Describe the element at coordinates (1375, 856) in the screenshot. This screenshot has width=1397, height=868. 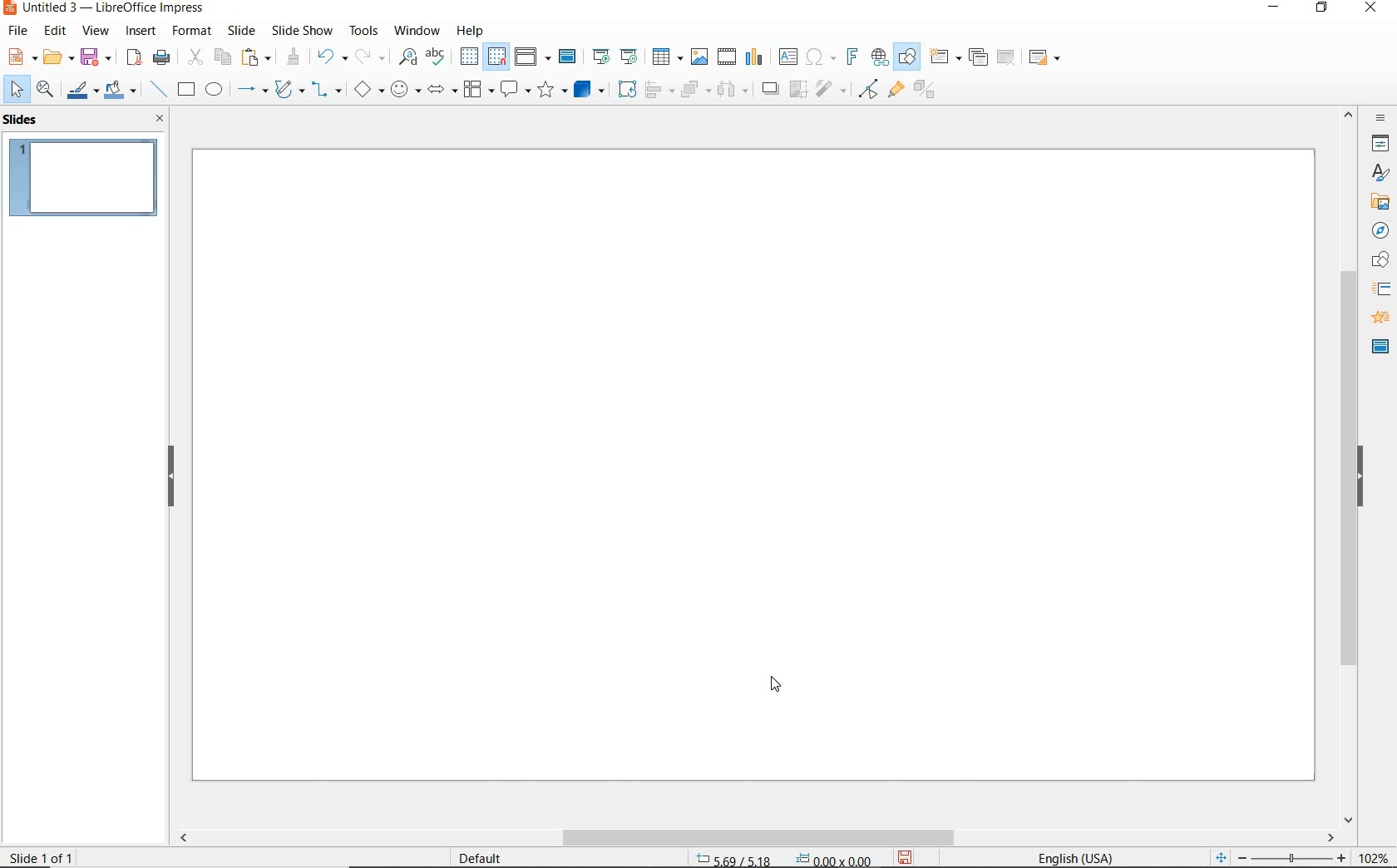
I see `ZOOM FACTOR` at that location.